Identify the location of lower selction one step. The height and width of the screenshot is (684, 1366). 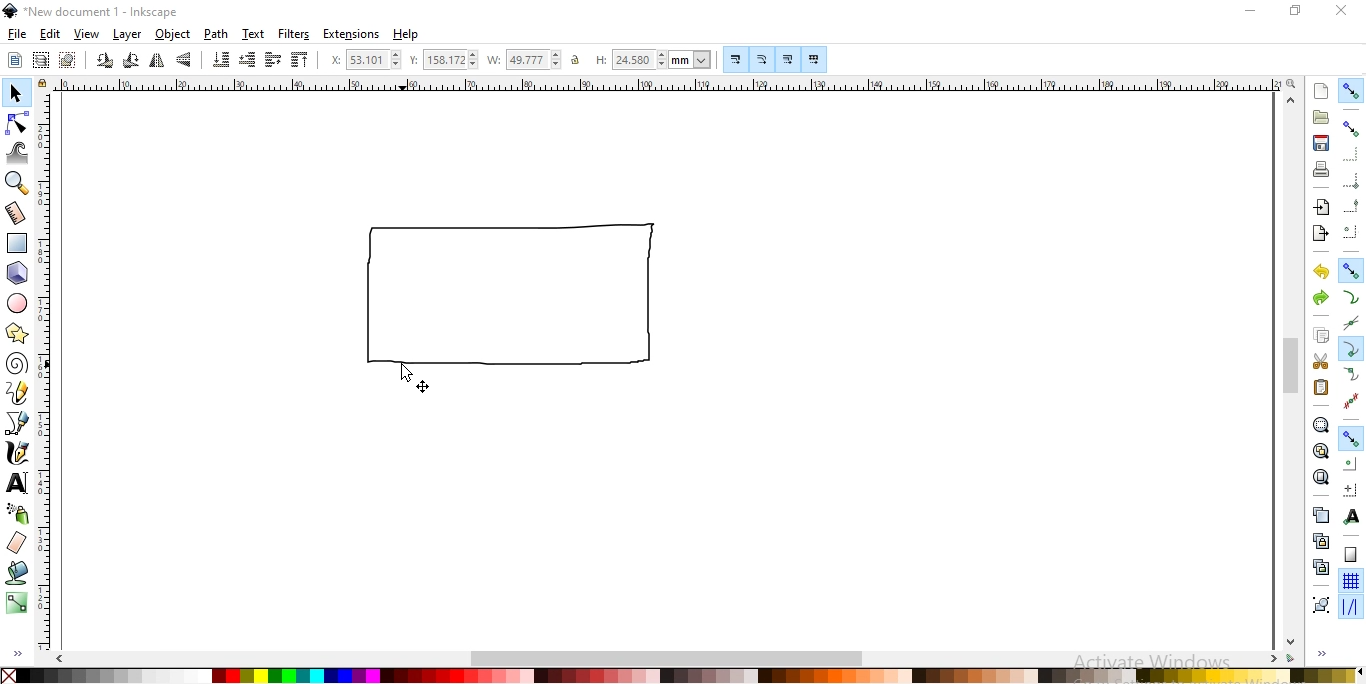
(246, 59).